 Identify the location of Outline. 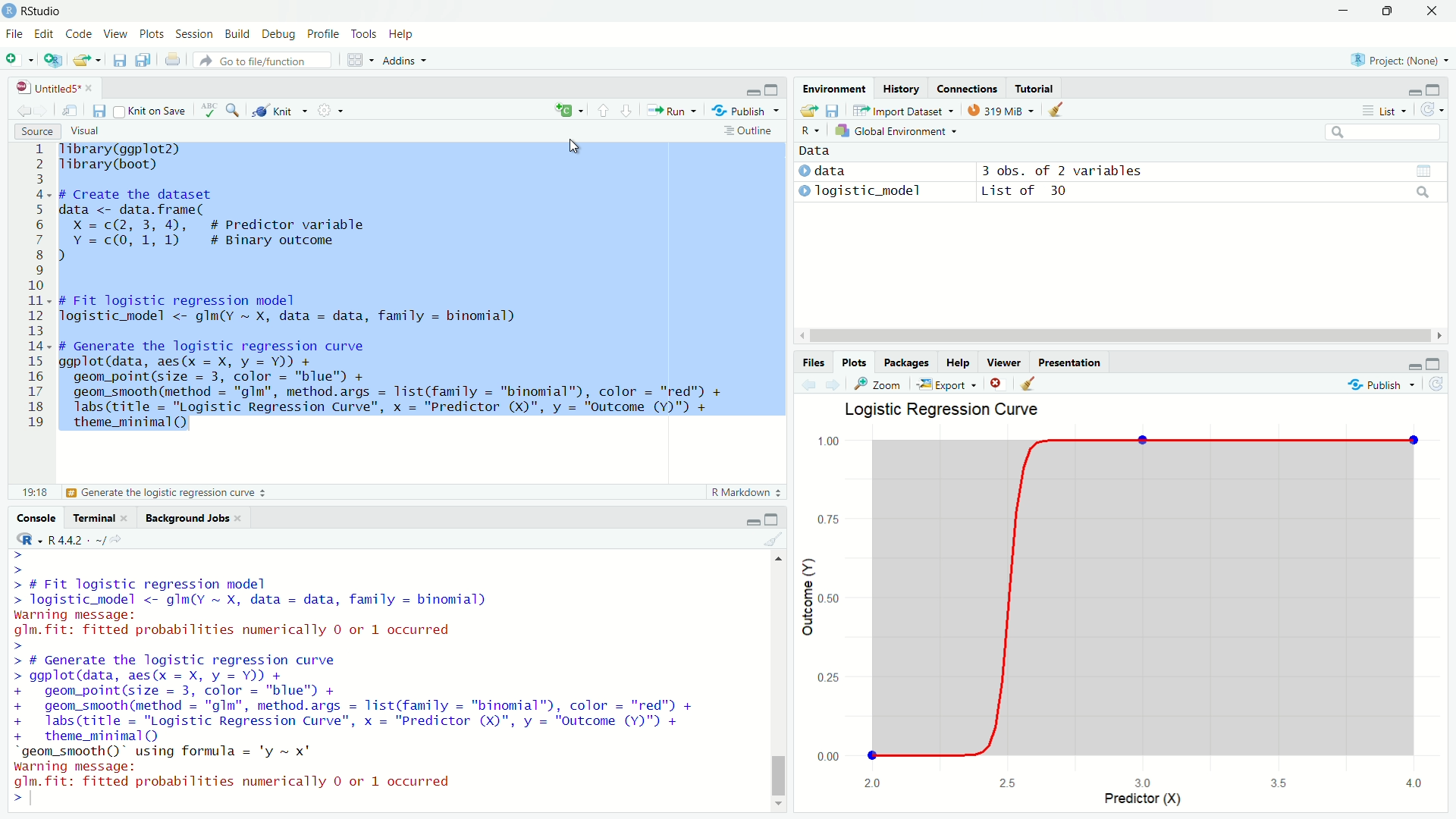
(751, 130).